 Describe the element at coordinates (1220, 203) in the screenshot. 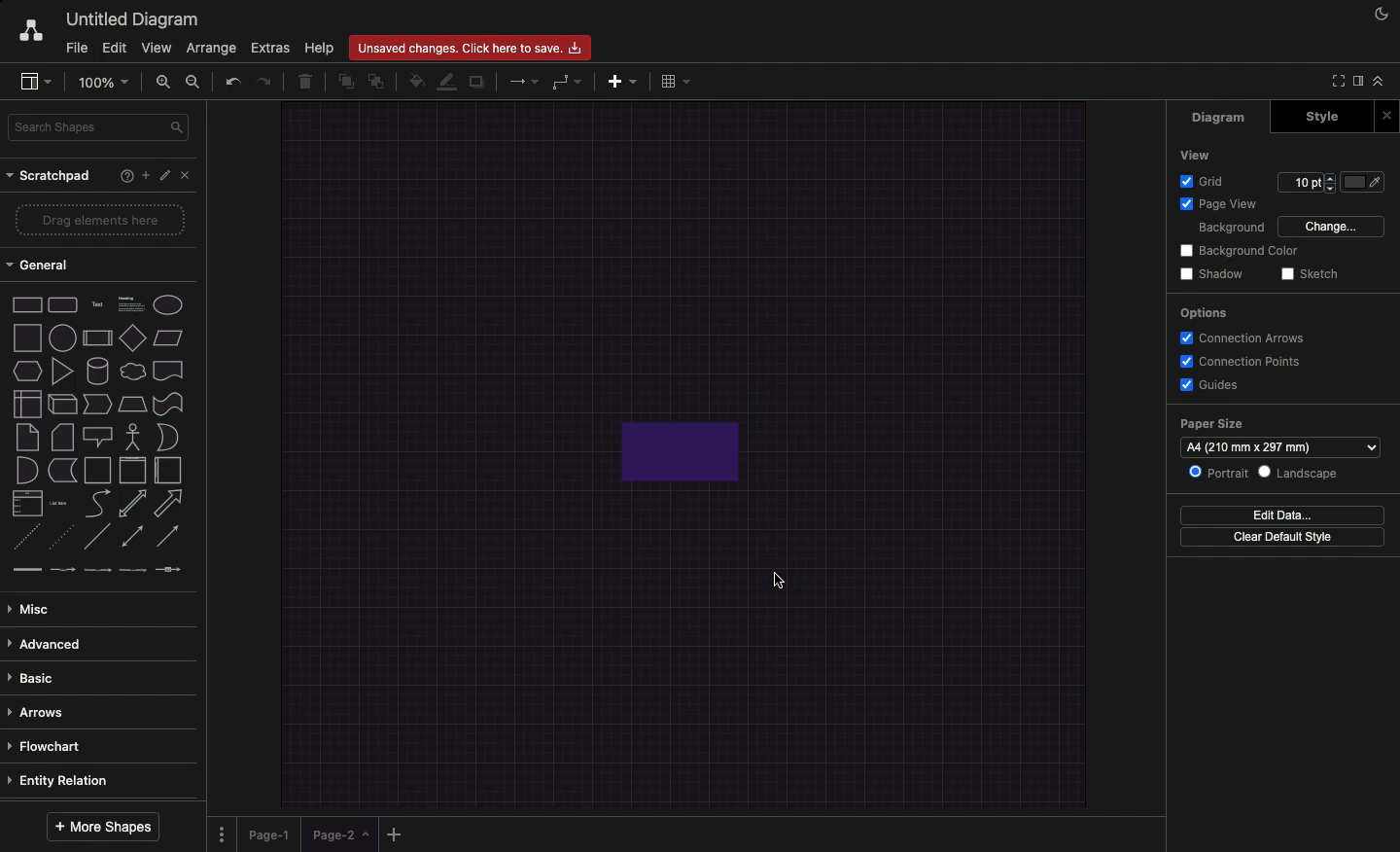

I see `Page view` at that location.